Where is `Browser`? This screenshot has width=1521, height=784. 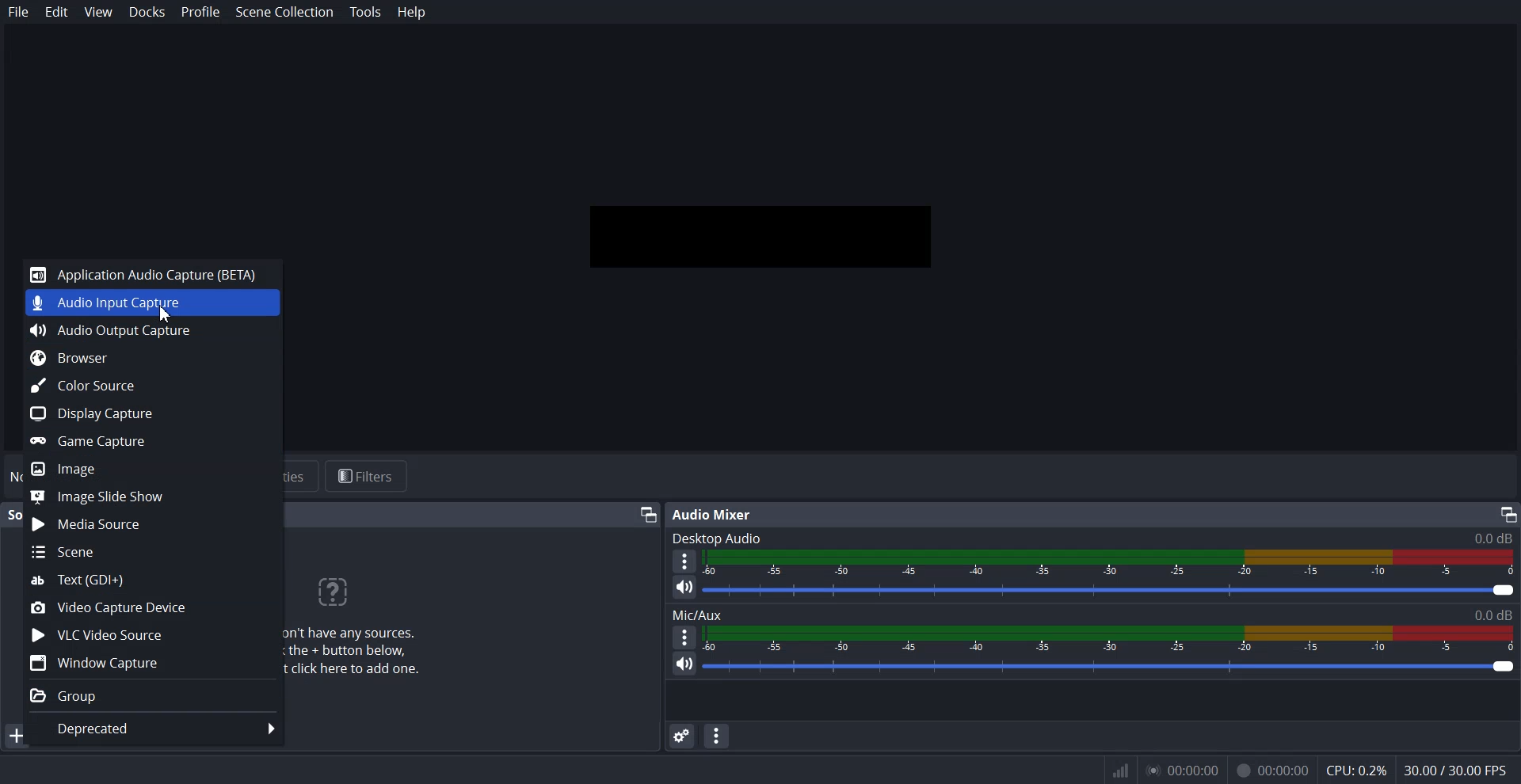 Browser is located at coordinates (152, 357).